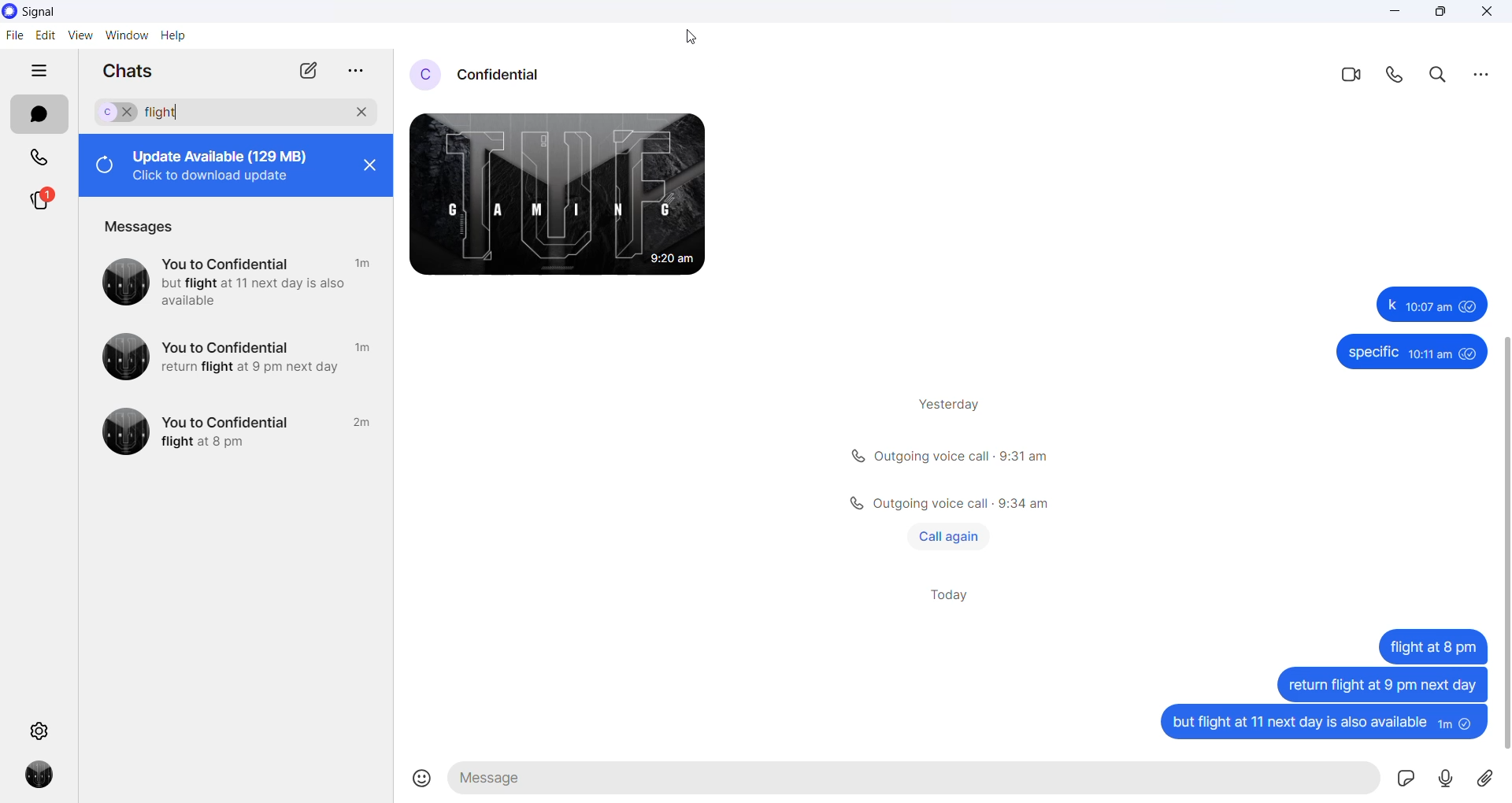 Image resolution: width=1512 pixels, height=803 pixels. I want to click on cancel, so click(362, 109).